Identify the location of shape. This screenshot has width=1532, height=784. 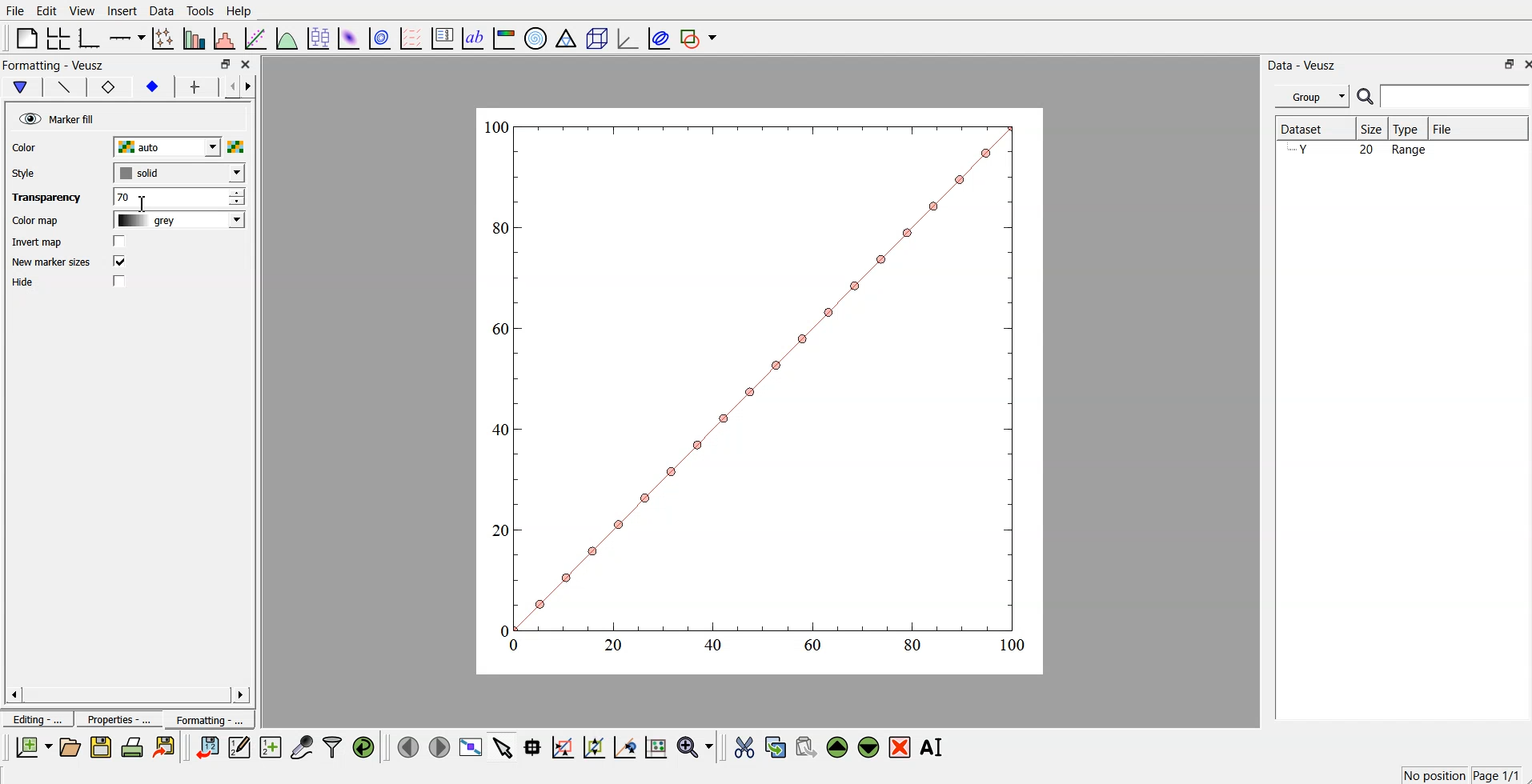
(110, 86).